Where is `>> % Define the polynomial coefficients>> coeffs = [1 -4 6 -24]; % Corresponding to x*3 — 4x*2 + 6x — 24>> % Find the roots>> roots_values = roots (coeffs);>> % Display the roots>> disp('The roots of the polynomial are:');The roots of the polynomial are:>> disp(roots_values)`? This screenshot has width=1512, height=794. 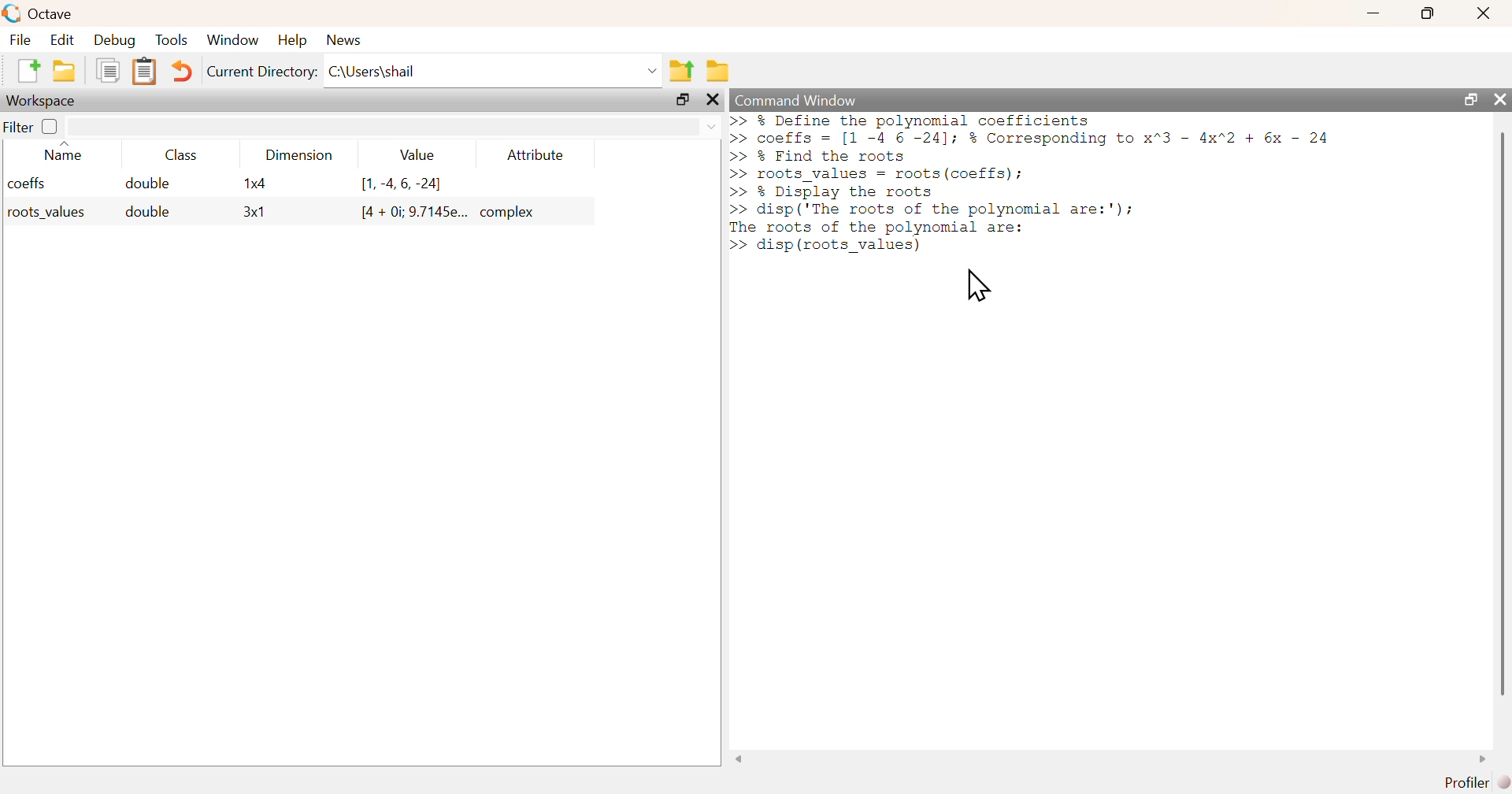 >> % Define the polynomial coefficients>> coeffs = [1 -4 6 -24]; % Corresponding to x*3 — 4x*2 + 6x — 24>> % Find the roots>> roots_values = roots (coeffs);>> % Display the roots>> disp('The roots of the polynomial are:');The roots of the polynomial are:>> disp(roots_values) is located at coordinates (1031, 184).